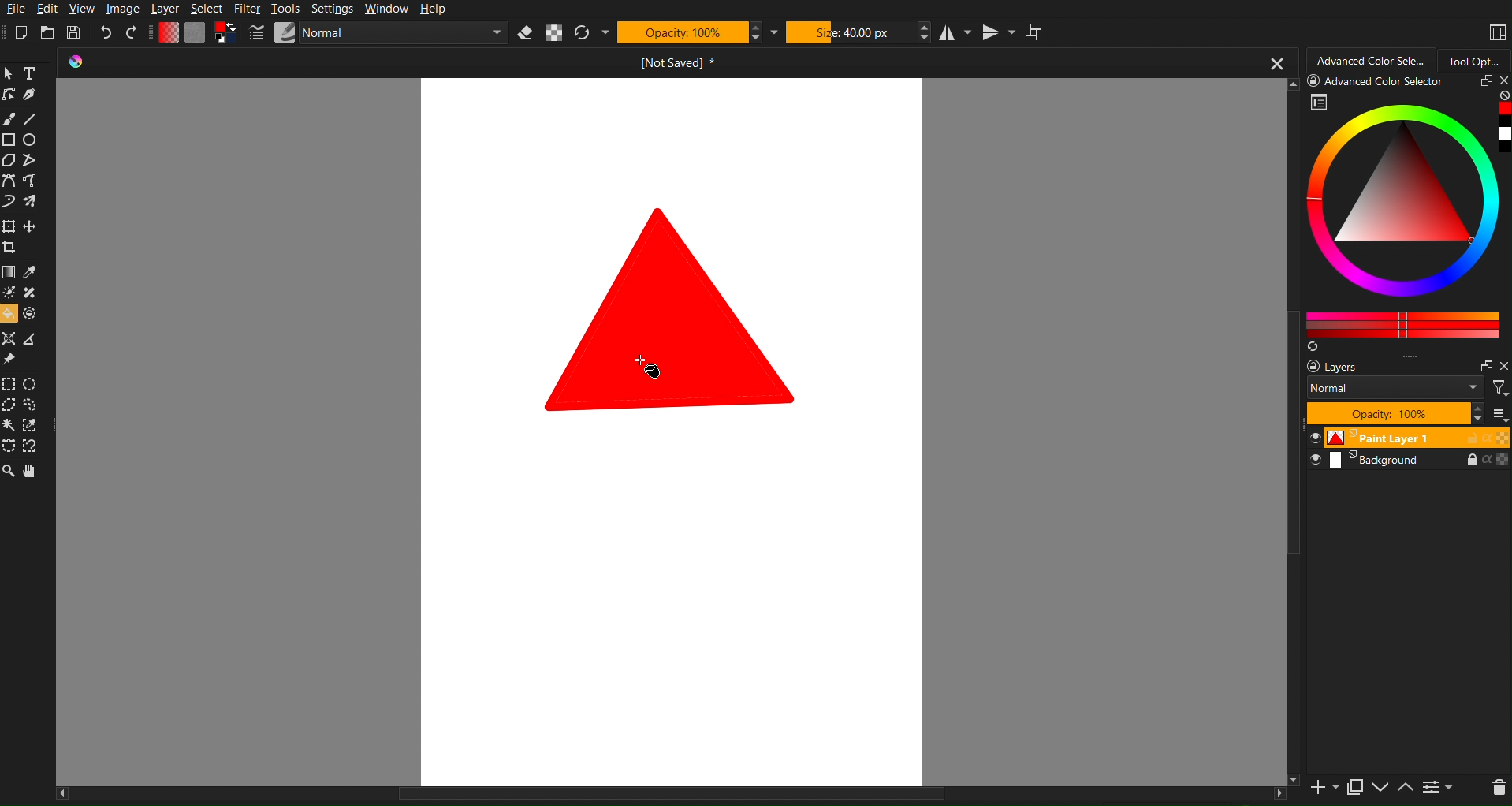 This screenshot has width=1512, height=806. Describe the element at coordinates (1408, 215) in the screenshot. I see `Advanced Color Selector` at that location.